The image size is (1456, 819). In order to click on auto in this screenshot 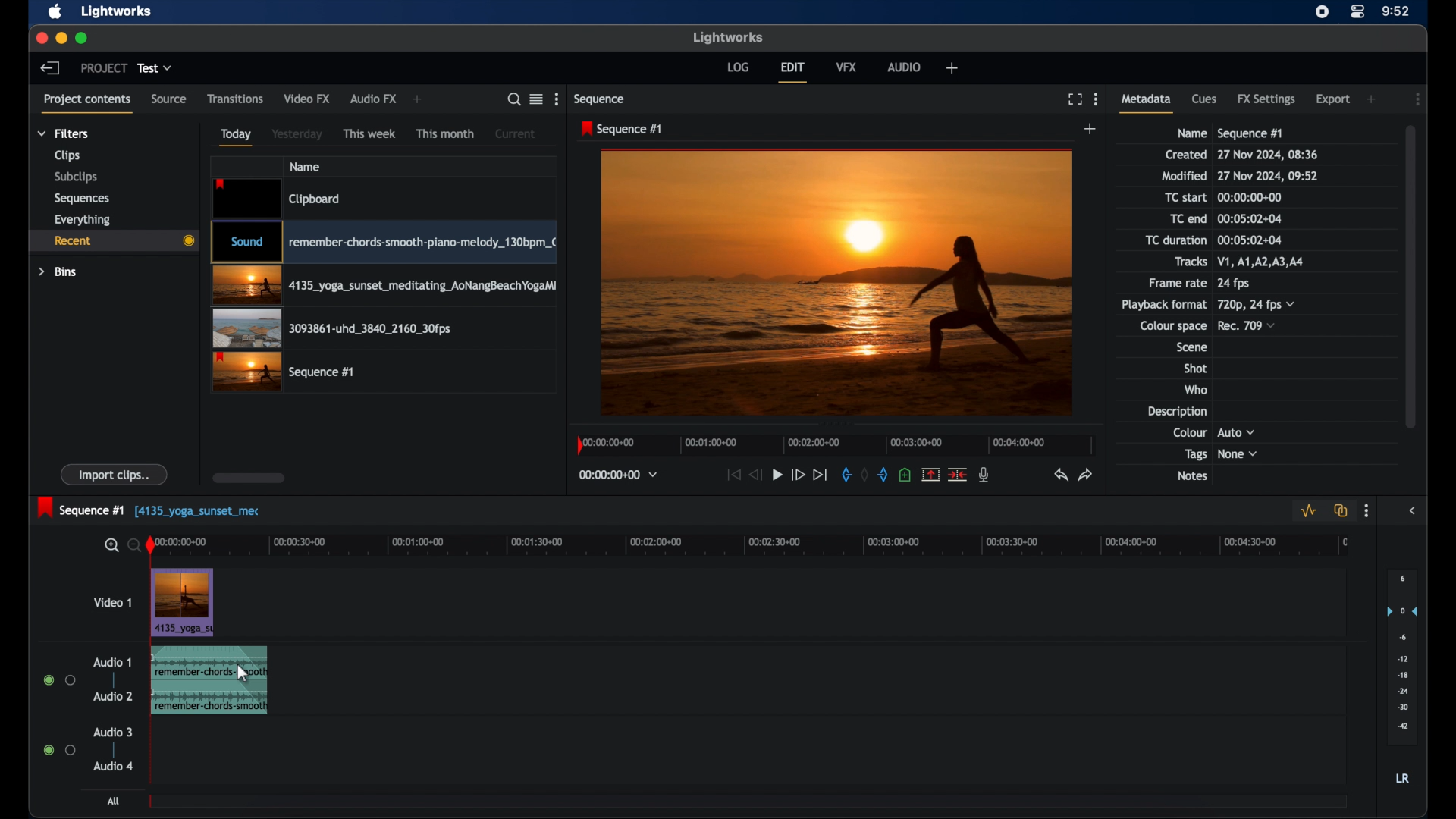, I will do `click(1237, 431)`.